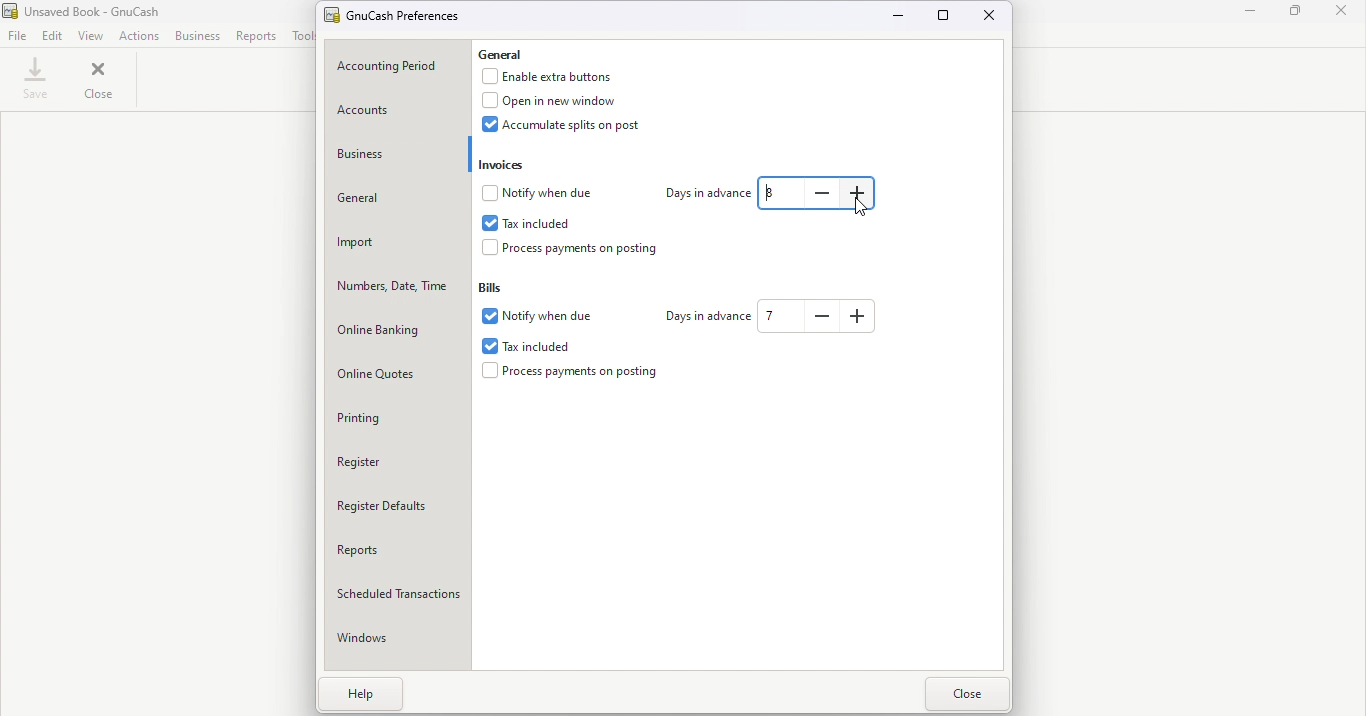 This screenshot has height=716, width=1366. I want to click on Tax included, so click(547, 344).